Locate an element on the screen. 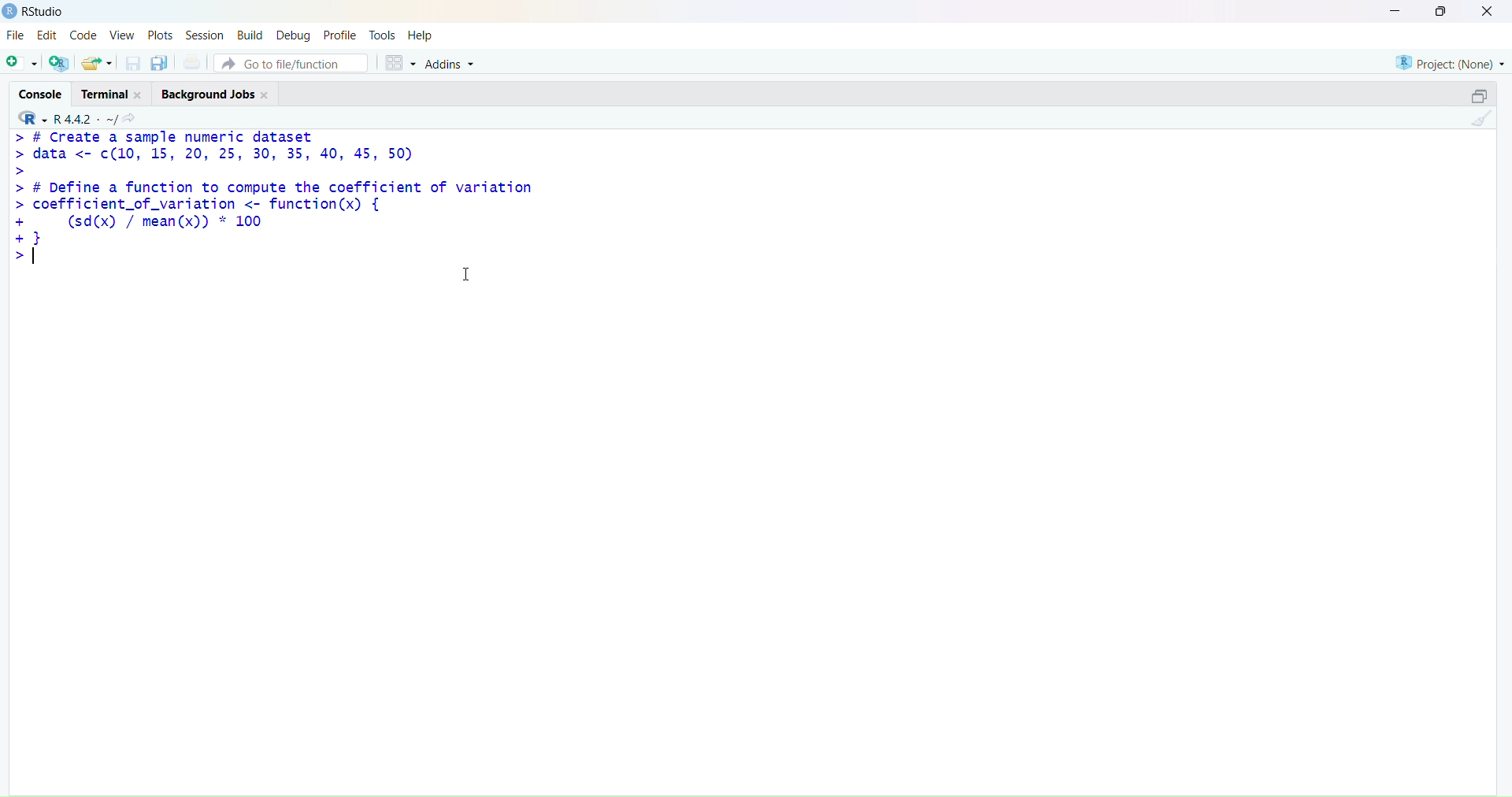  save is located at coordinates (134, 63).